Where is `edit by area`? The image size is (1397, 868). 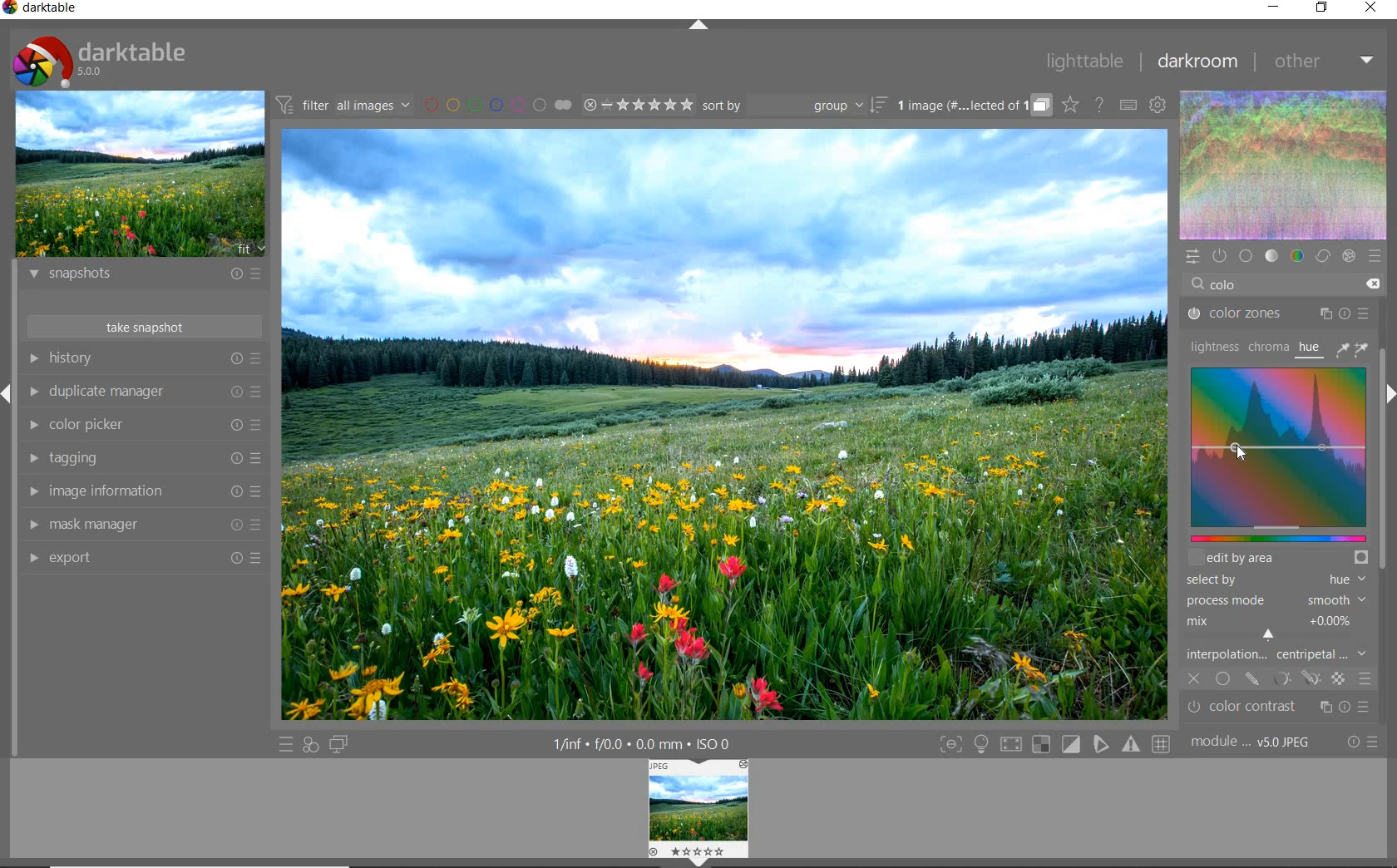
edit by area is located at coordinates (1278, 557).